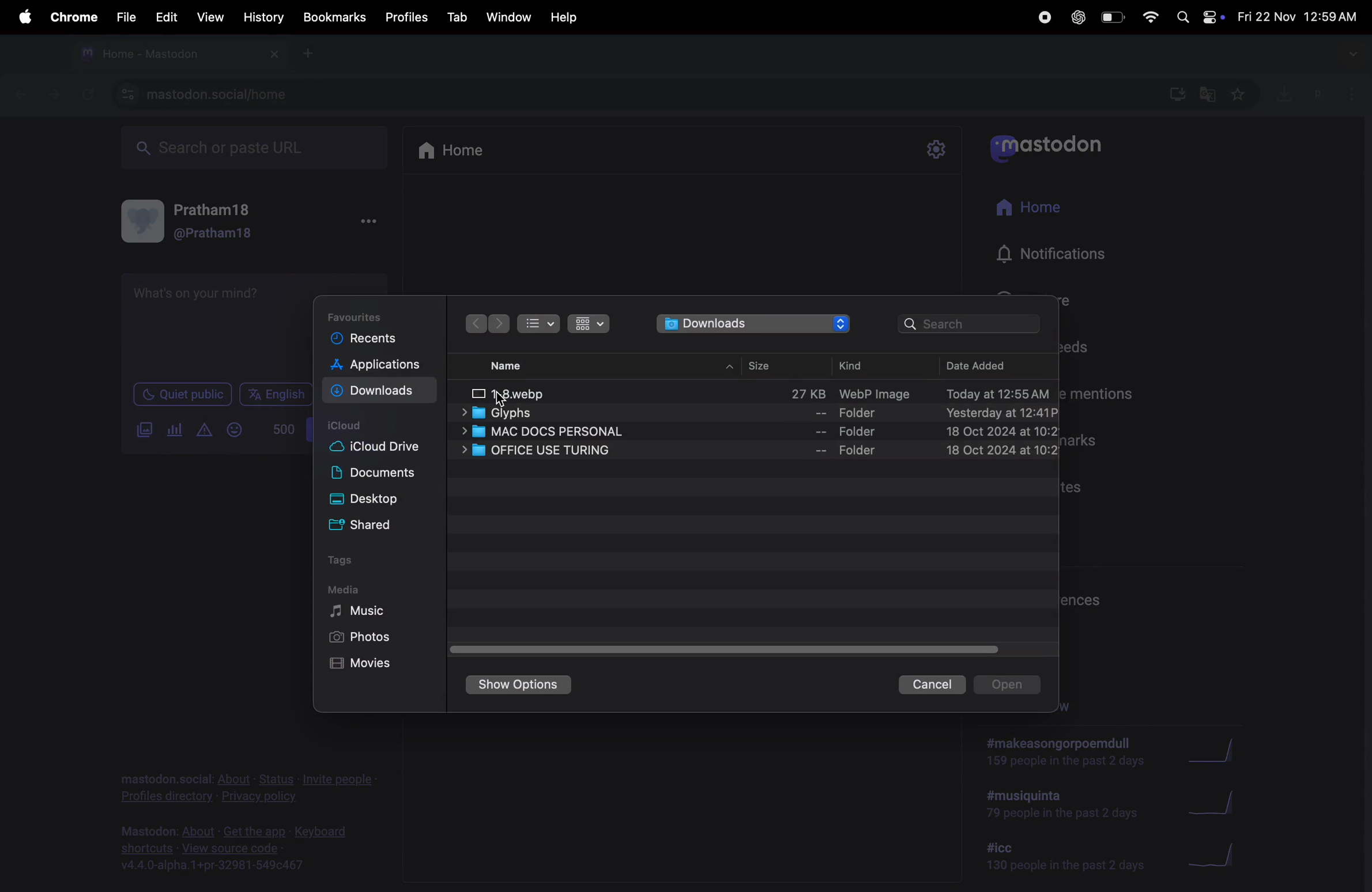 This screenshot has height=892, width=1372. Describe the element at coordinates (764, 366) in the screenshot. I see `size` at that location.